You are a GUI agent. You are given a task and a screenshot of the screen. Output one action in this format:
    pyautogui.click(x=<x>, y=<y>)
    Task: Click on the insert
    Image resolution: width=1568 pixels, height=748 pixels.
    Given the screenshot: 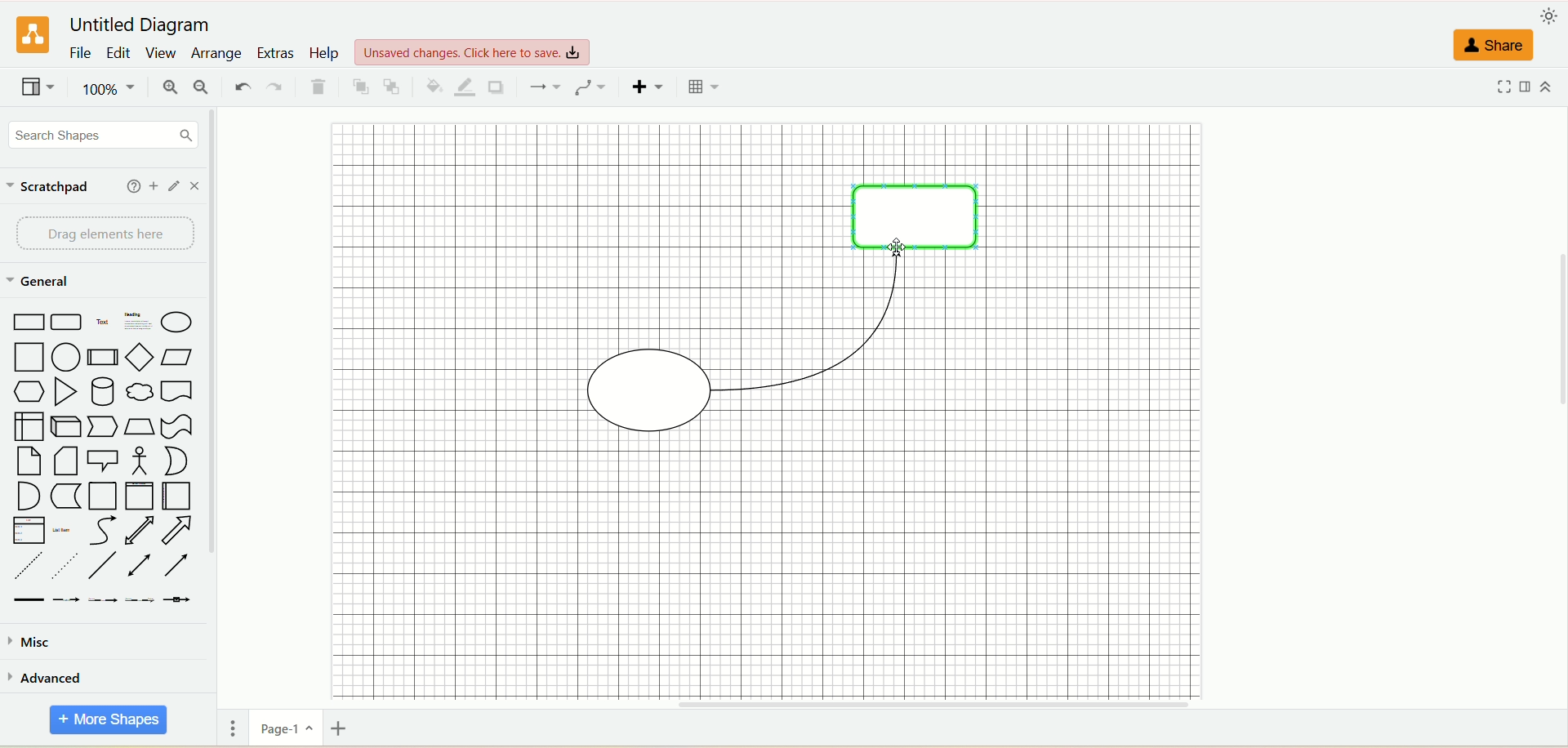 What is the action you would take?
    pyautogui.click(x=645, y=87)
    